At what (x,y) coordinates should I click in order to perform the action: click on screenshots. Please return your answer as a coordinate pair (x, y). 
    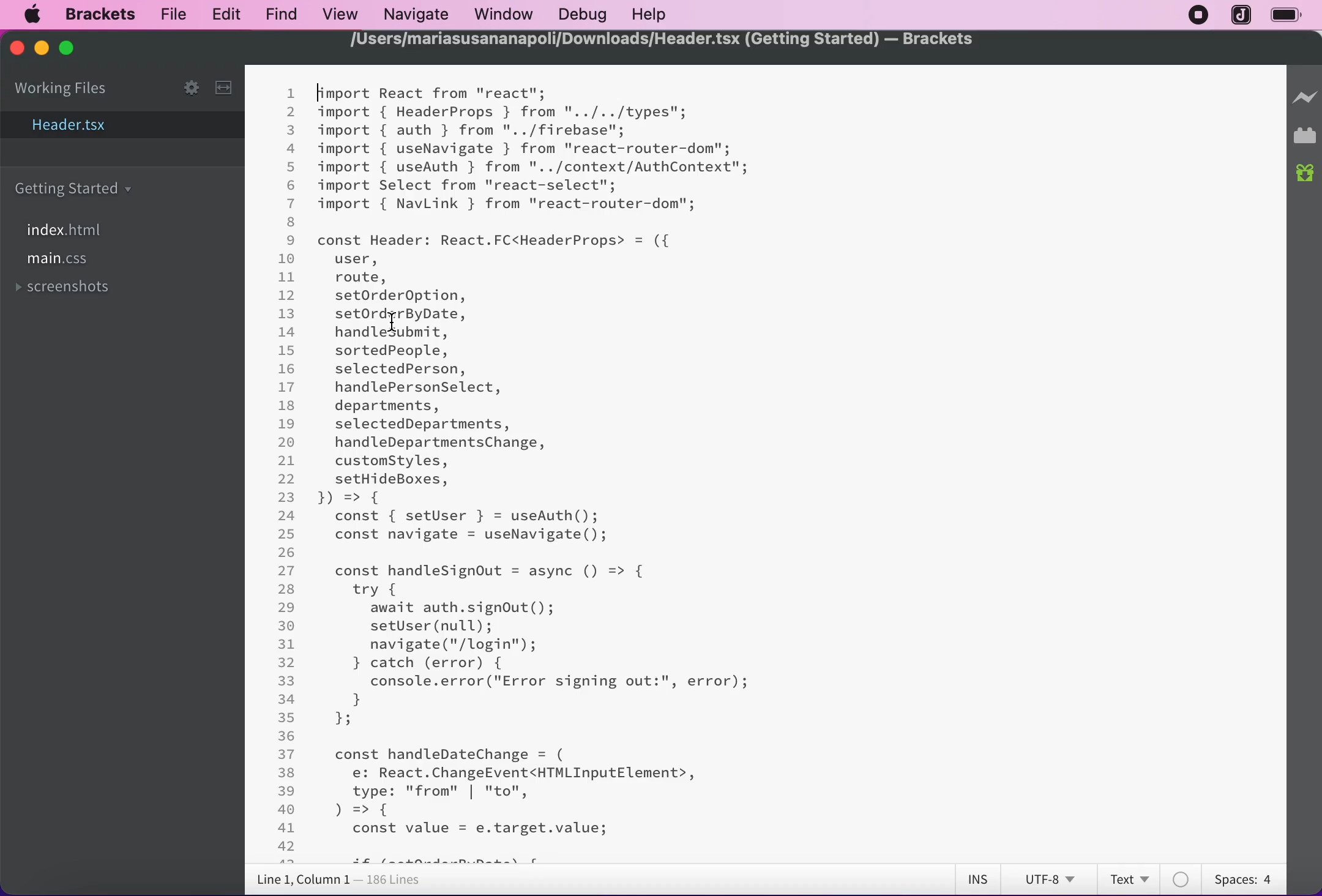
    Looking at the image, I should click on (62, 288).